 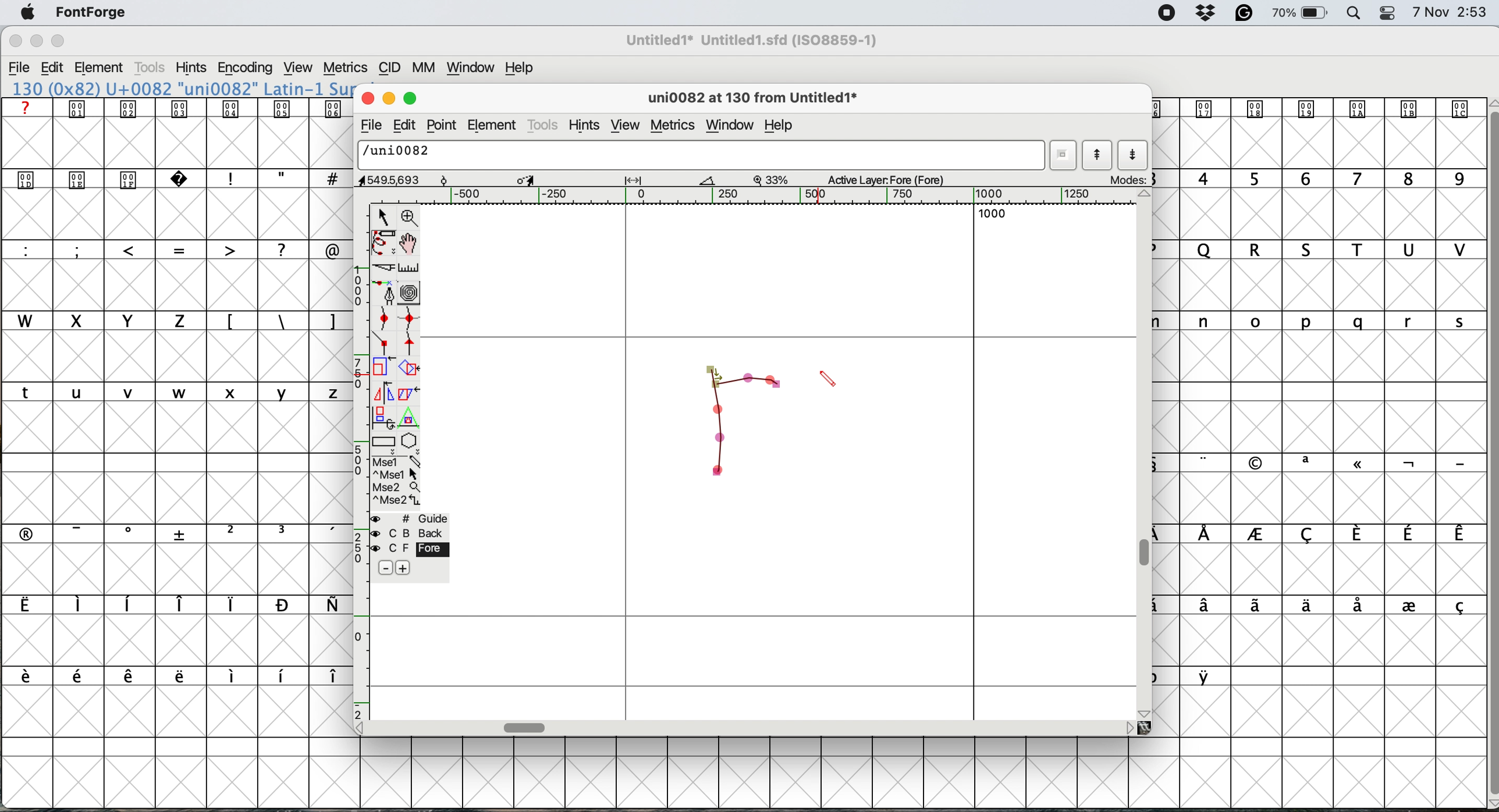 What do you see at coordinates (279, 178) in the screenshot?
I see `special characters` at bounding box center [279, 178].